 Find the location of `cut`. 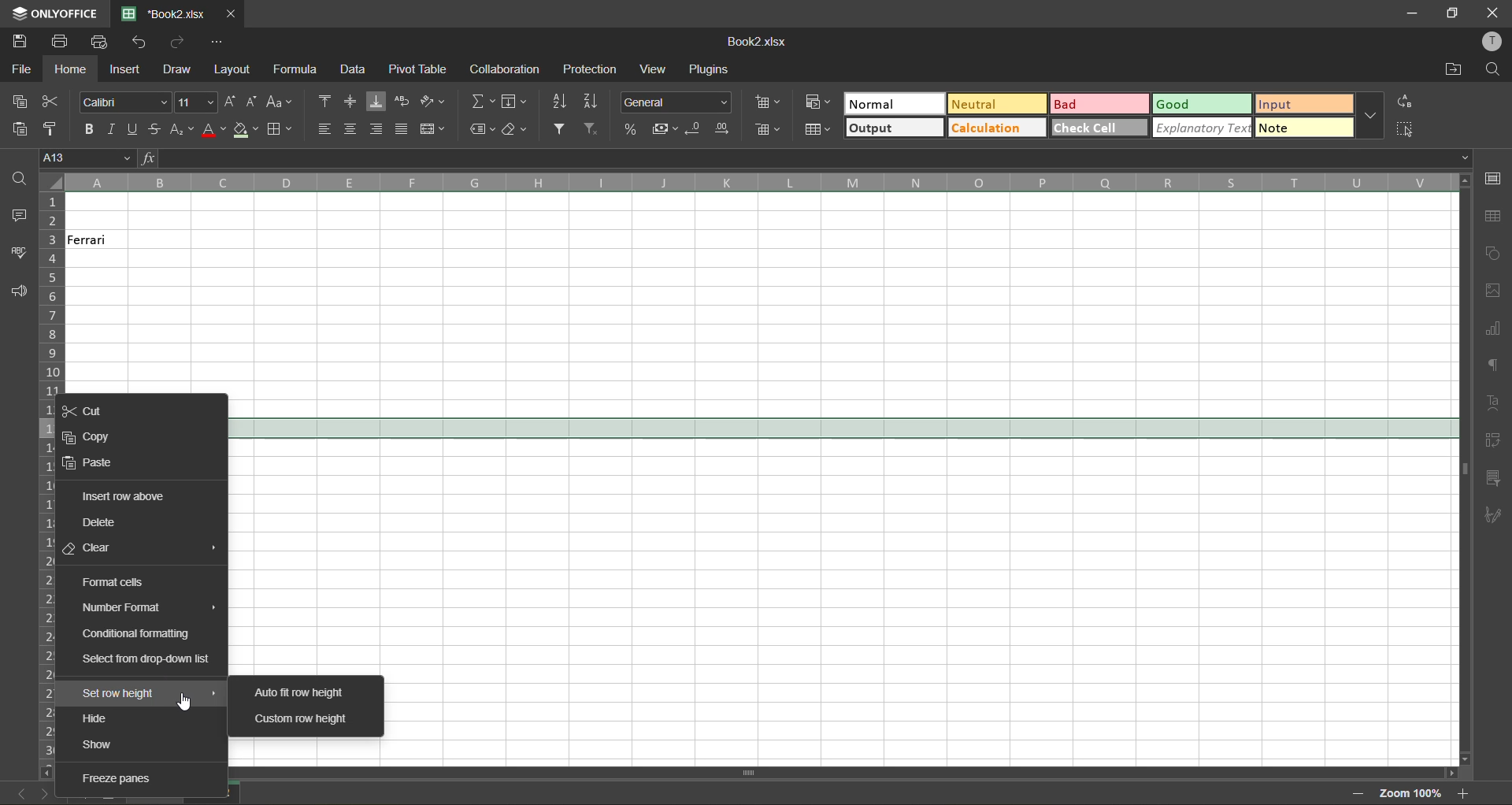

cut is located at coordinates (51, 102).